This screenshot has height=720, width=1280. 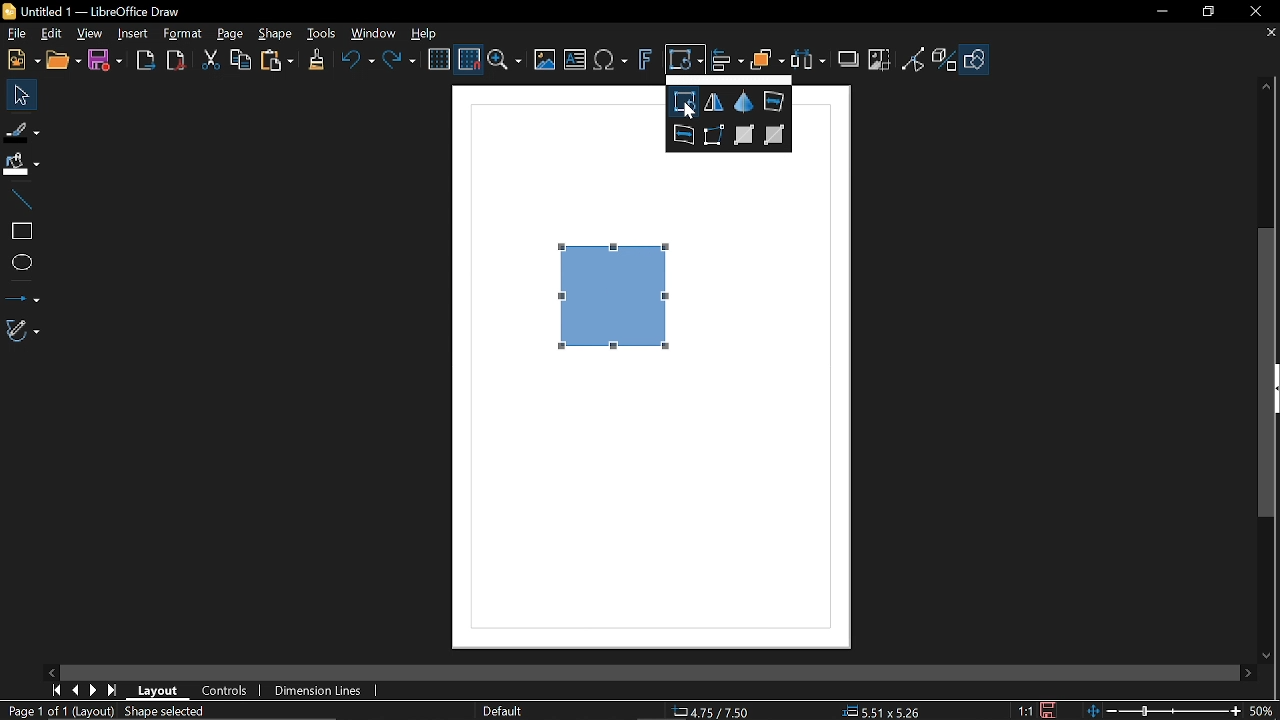 I want to click on restore down, so click(x=1209, y=13).